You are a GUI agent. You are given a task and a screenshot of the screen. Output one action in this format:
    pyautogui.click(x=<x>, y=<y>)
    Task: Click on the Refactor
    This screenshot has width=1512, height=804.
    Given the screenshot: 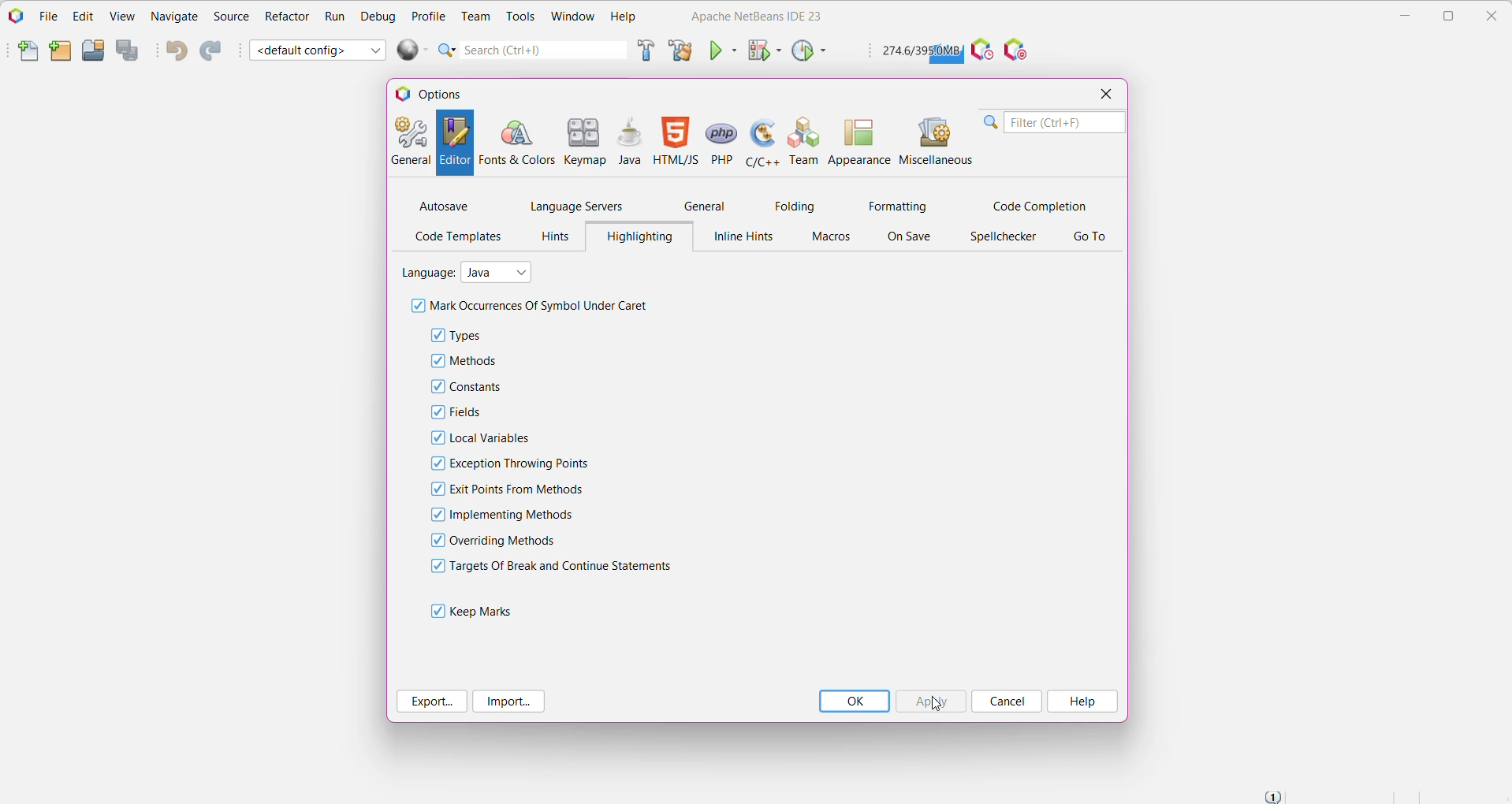 What is the action you would take?
    pyautogui.click(x=286, y=19)
    